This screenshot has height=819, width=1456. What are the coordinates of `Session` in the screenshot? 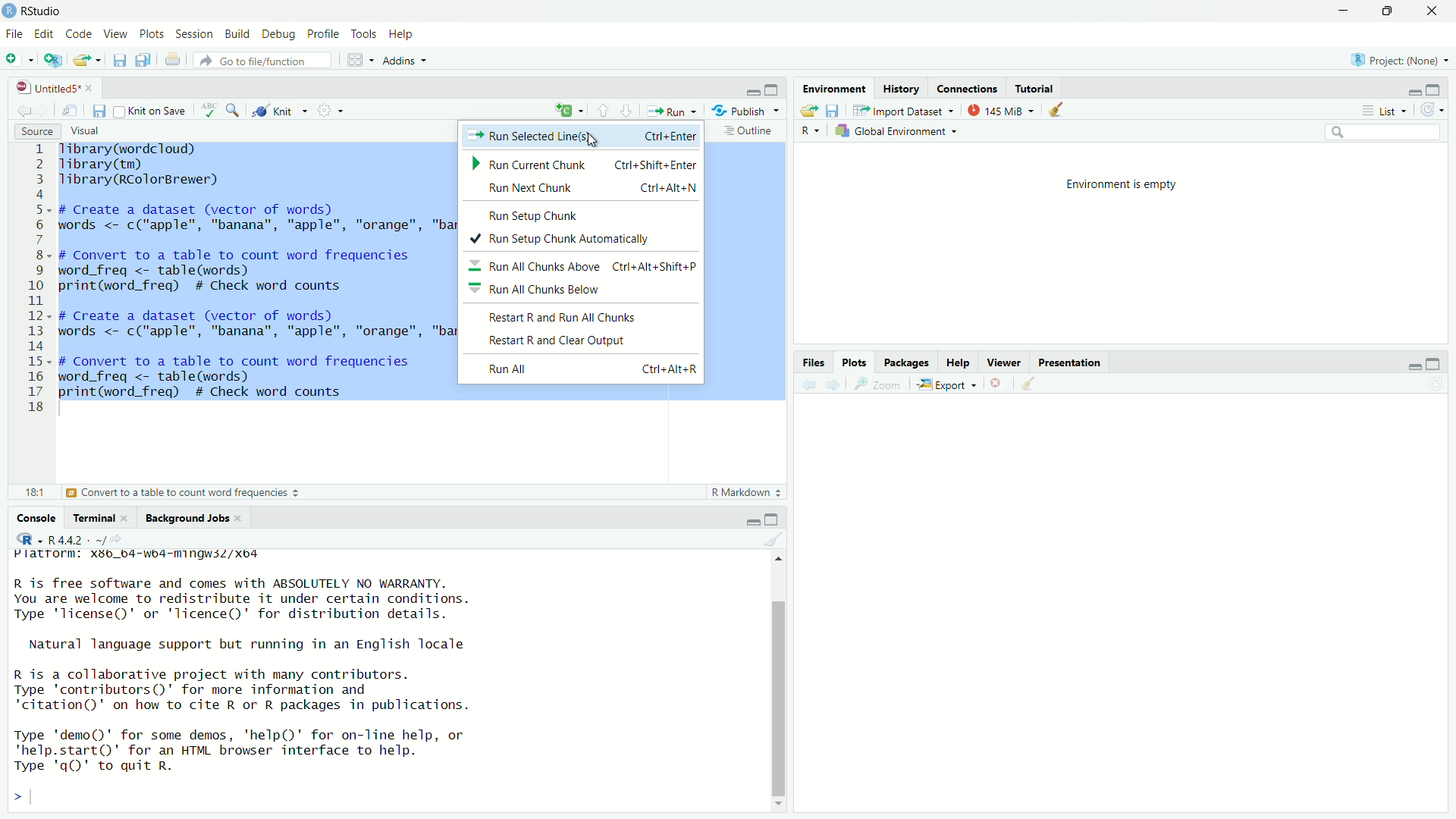 It's located at (196, 36).